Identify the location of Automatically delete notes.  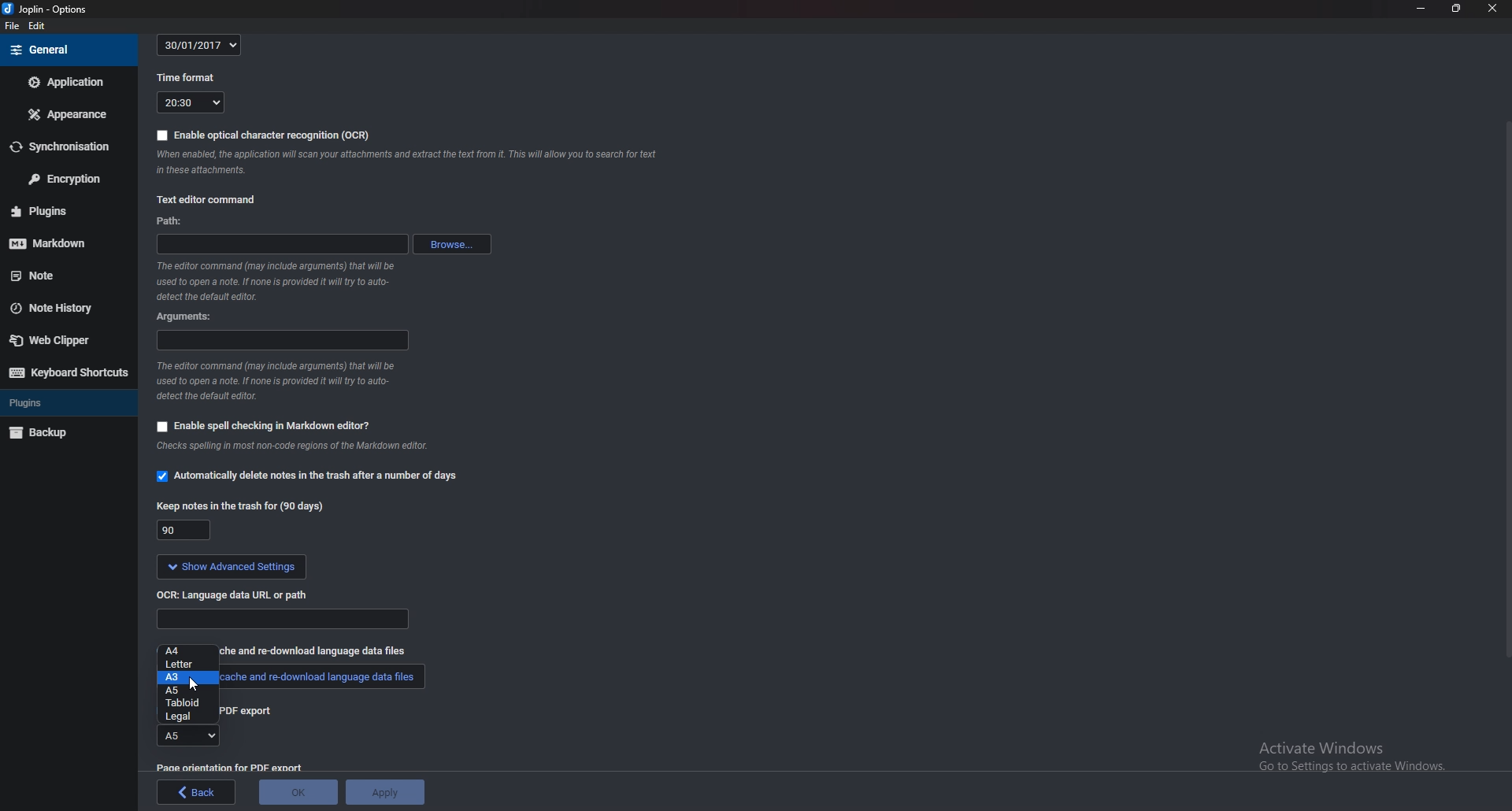
(313, 478).